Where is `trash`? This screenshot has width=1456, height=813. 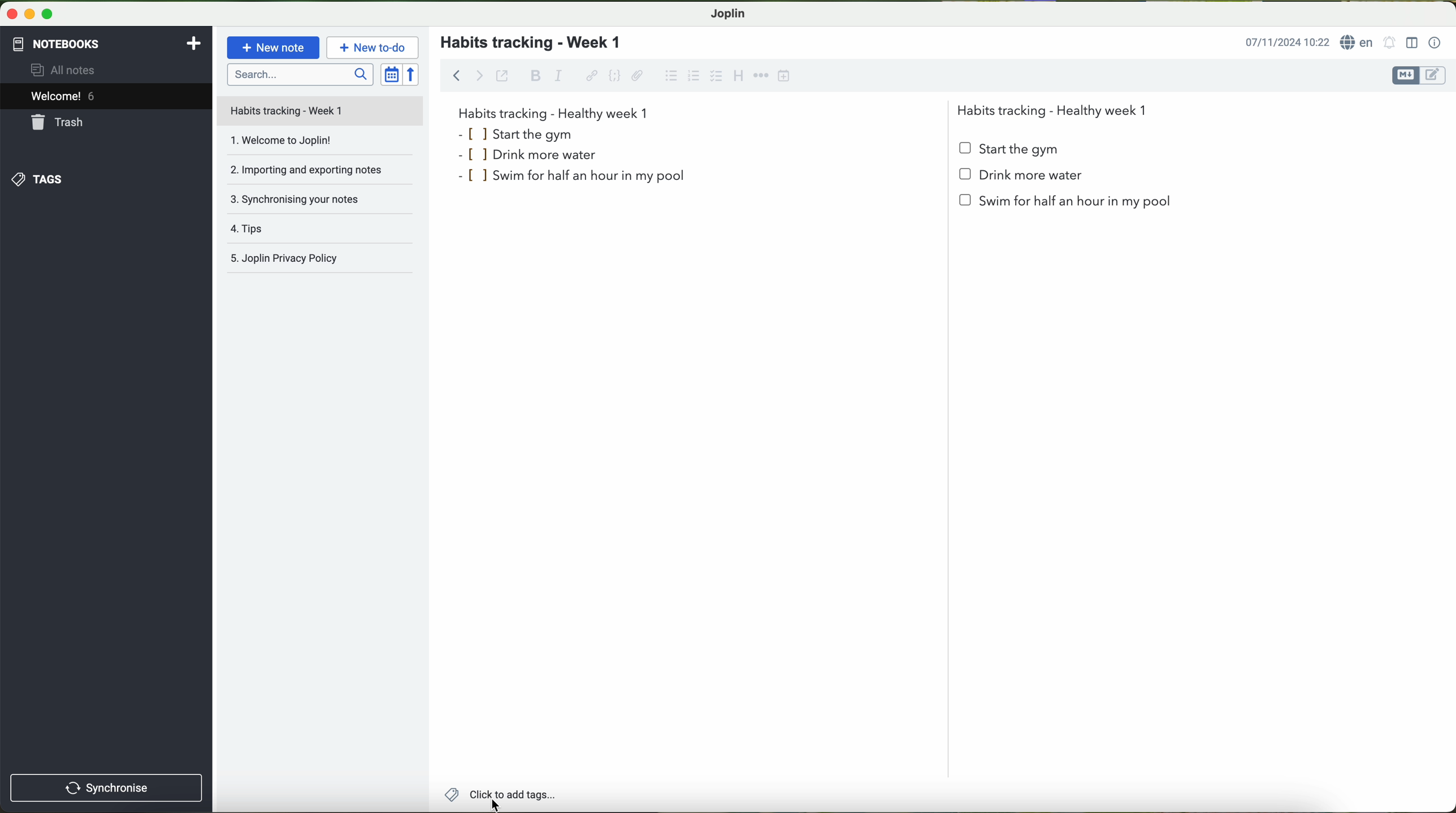 trash is located at coordinates (59, 122).